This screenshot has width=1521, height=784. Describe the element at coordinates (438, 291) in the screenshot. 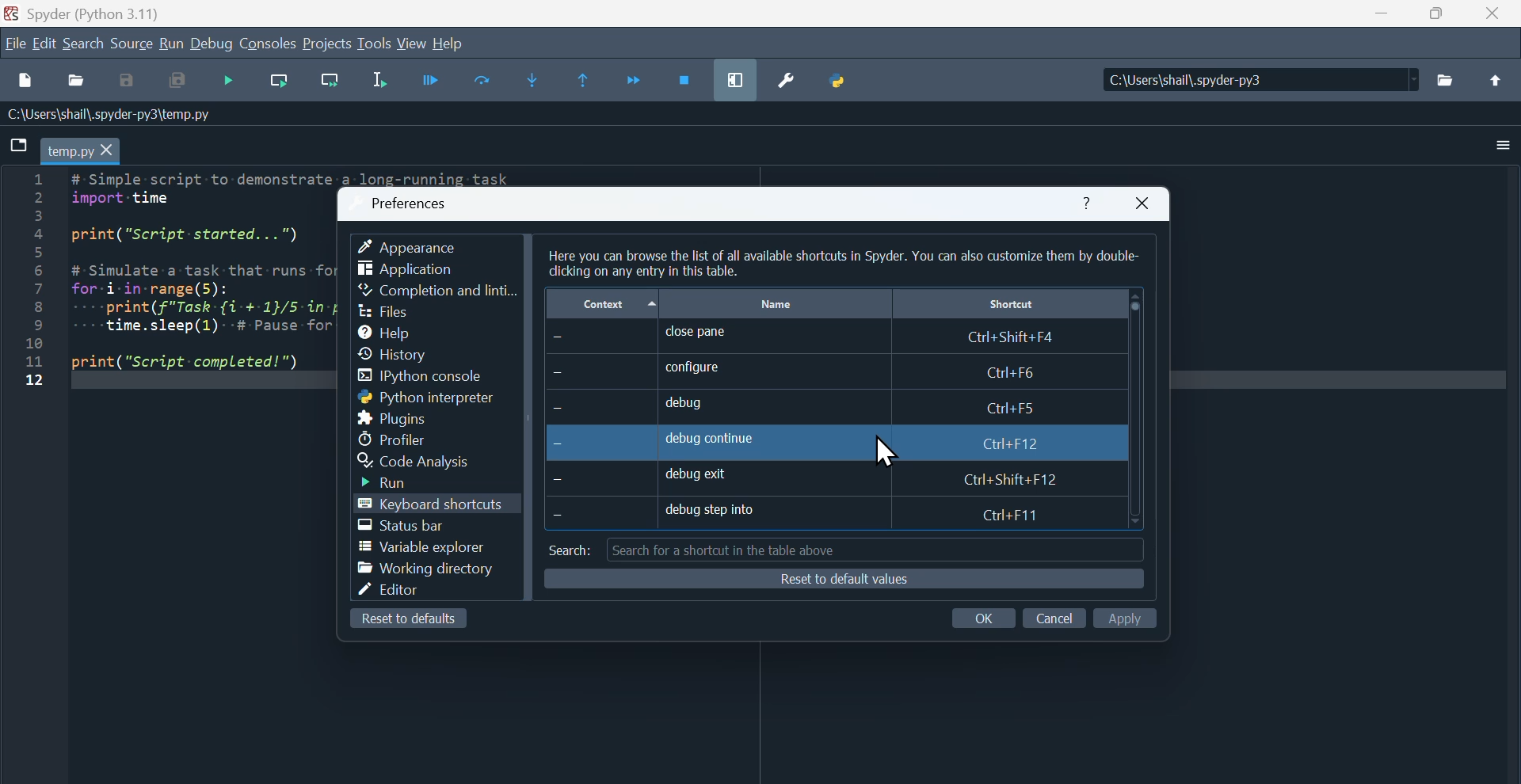

I see `Completion and` at that location.